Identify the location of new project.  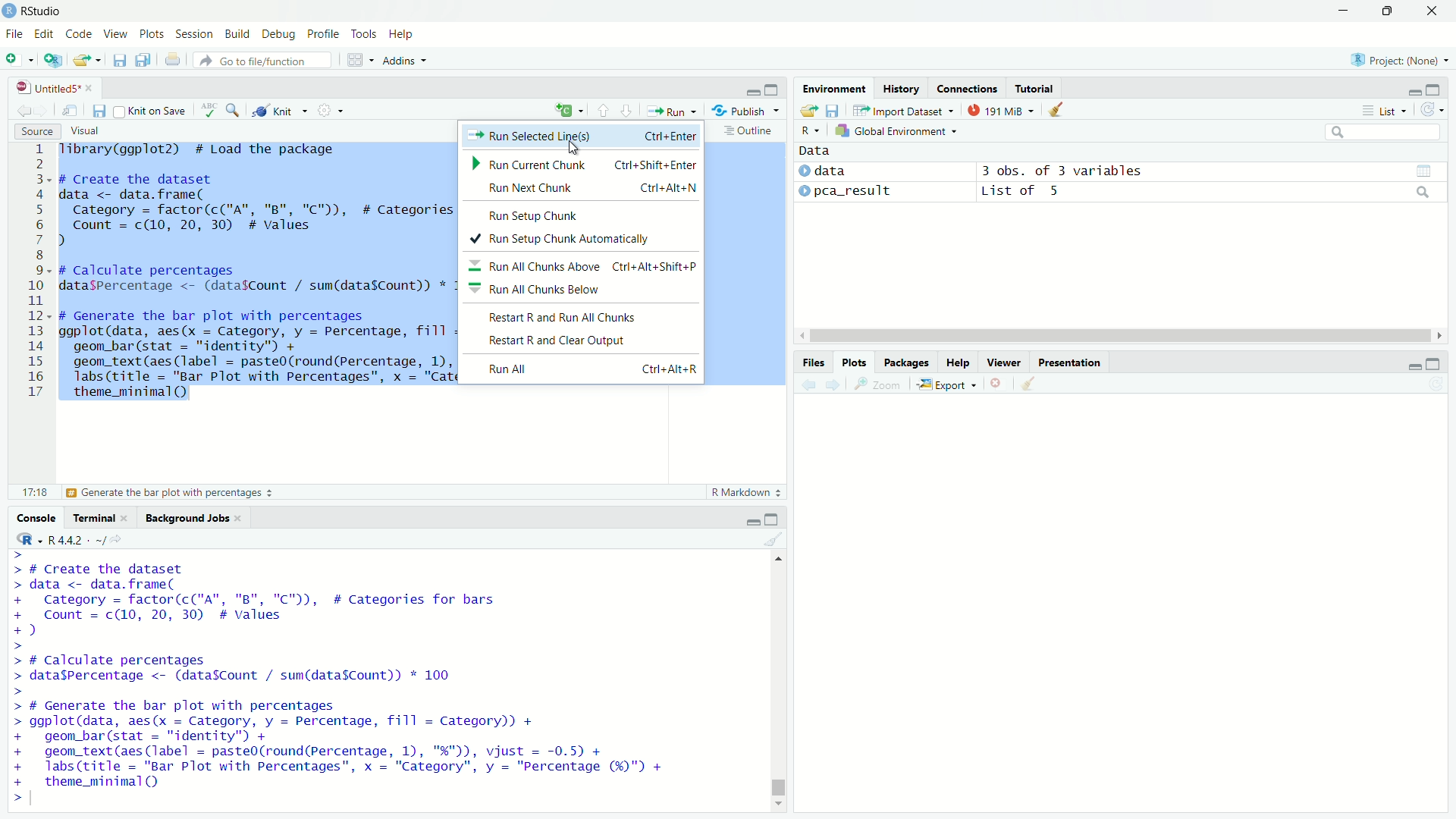
(52, 61).